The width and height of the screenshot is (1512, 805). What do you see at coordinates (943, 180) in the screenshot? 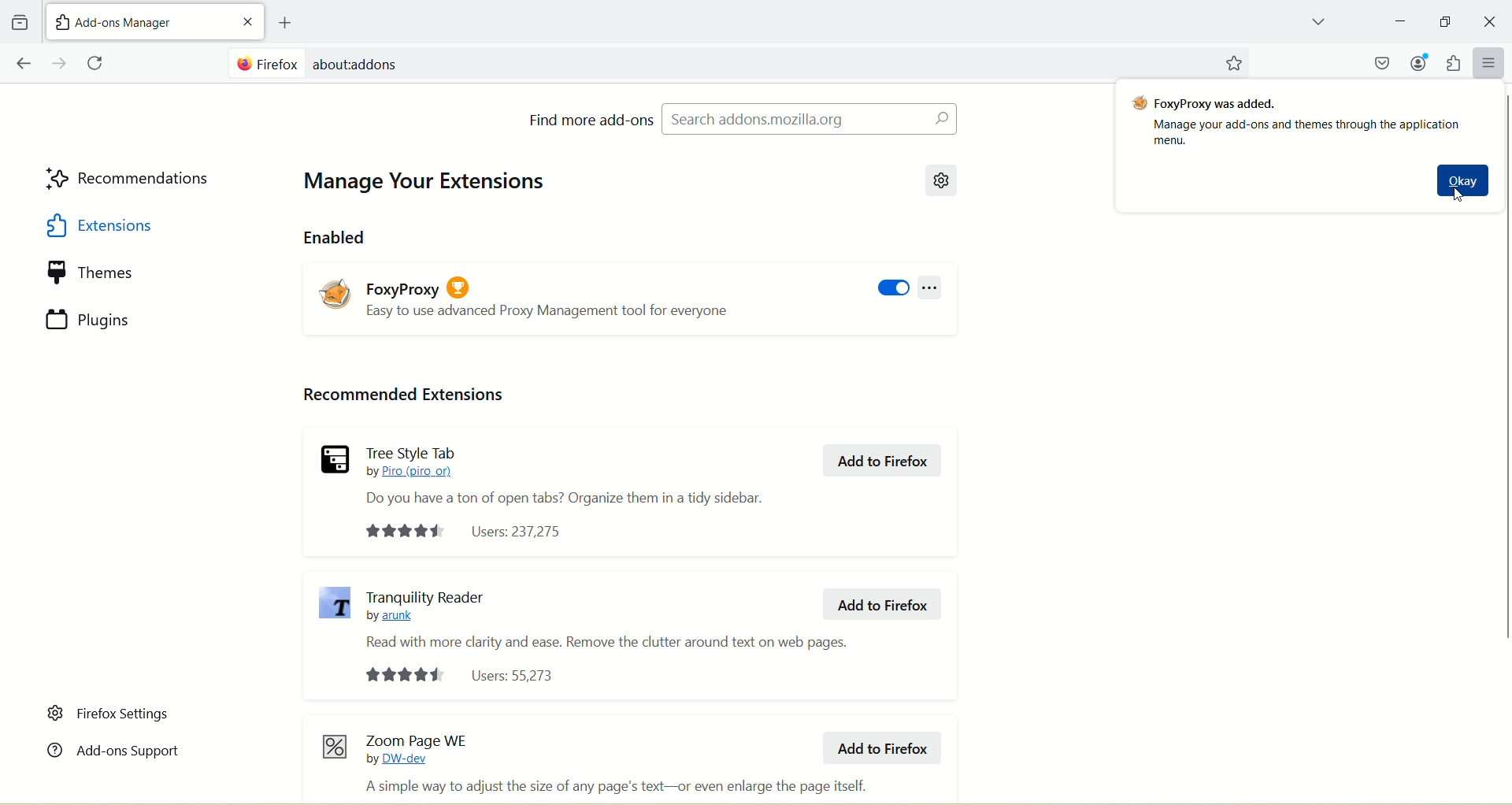
I see `Settings` at bounding box center [943, 180].